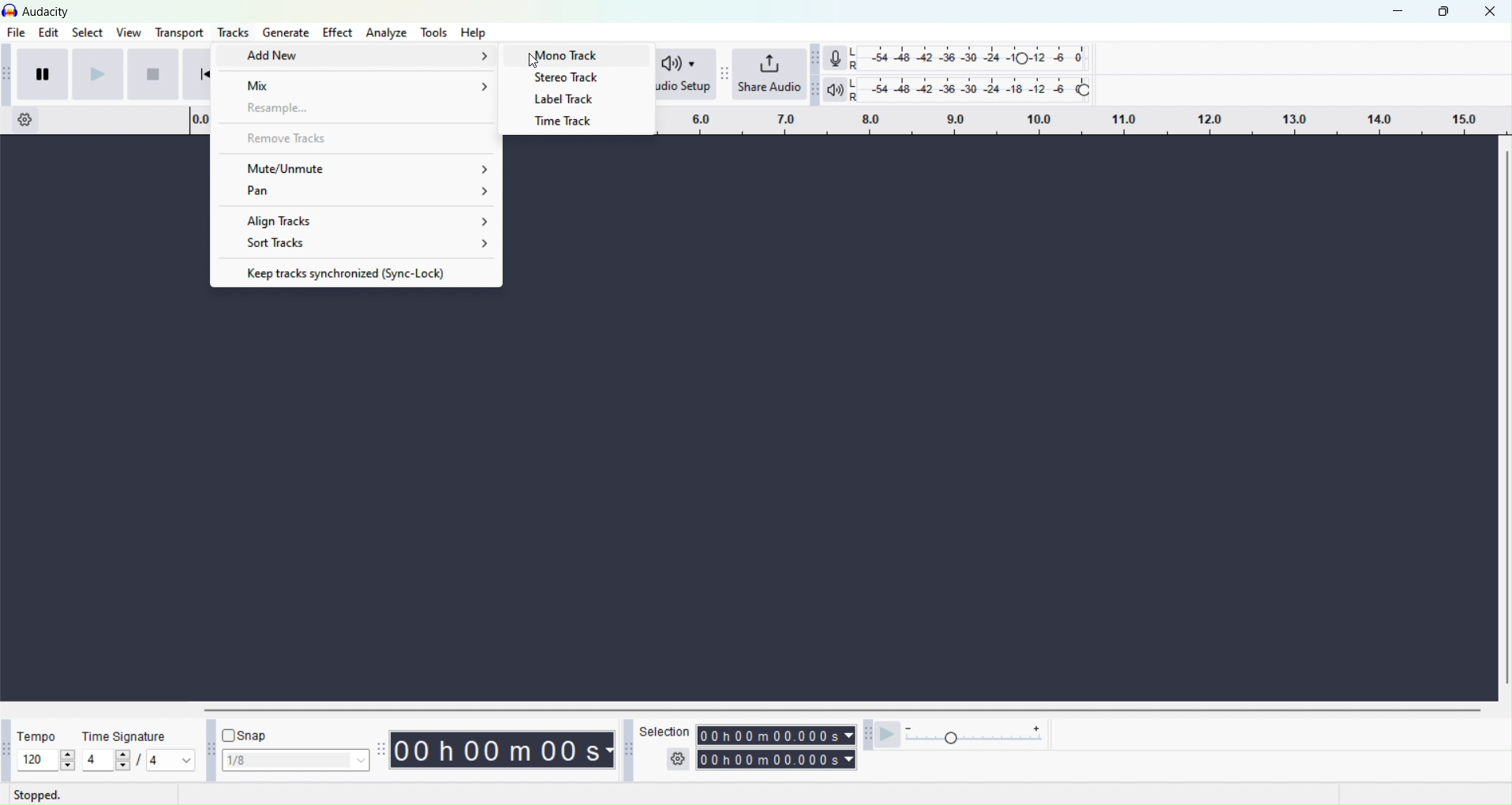 The image size is (1512, 805). What do you see at coordinates (357, 193) in the screenshot?
I see `Pan` at bounding box center [357, 193].